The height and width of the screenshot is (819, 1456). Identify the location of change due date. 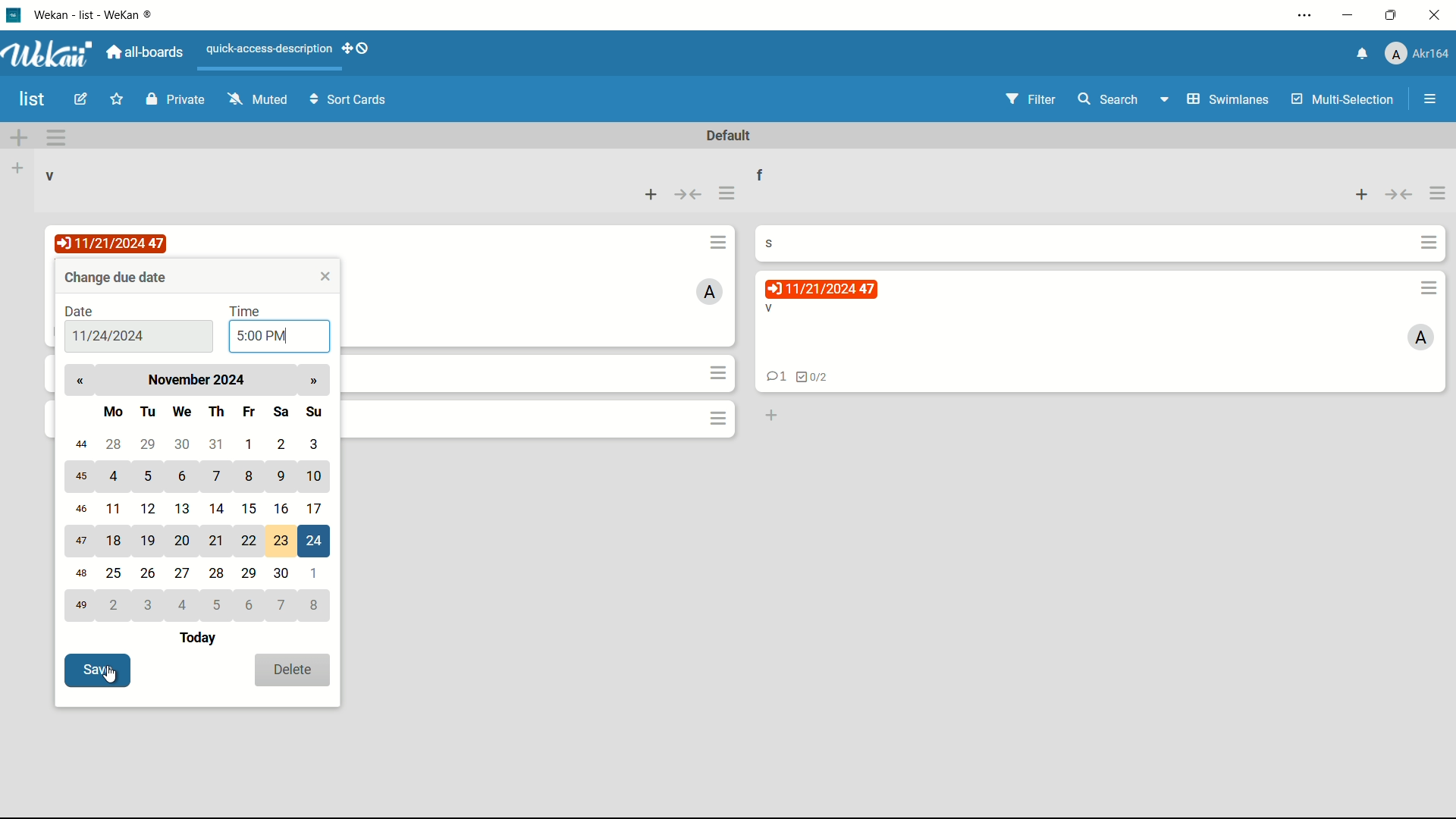
(118, 277).